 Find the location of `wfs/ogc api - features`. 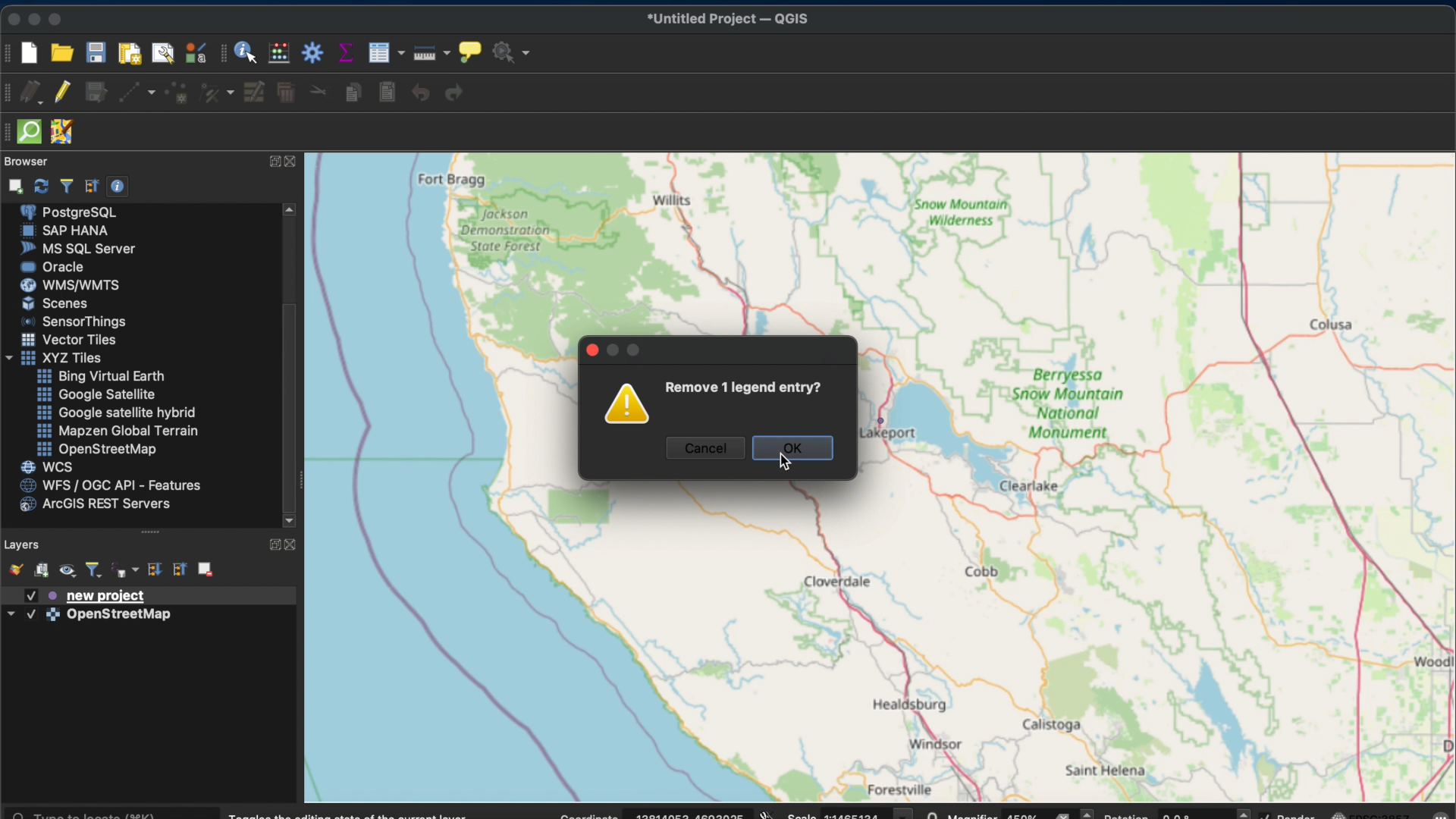

wfs/ogc api - features is located at coordinates (107, 486).